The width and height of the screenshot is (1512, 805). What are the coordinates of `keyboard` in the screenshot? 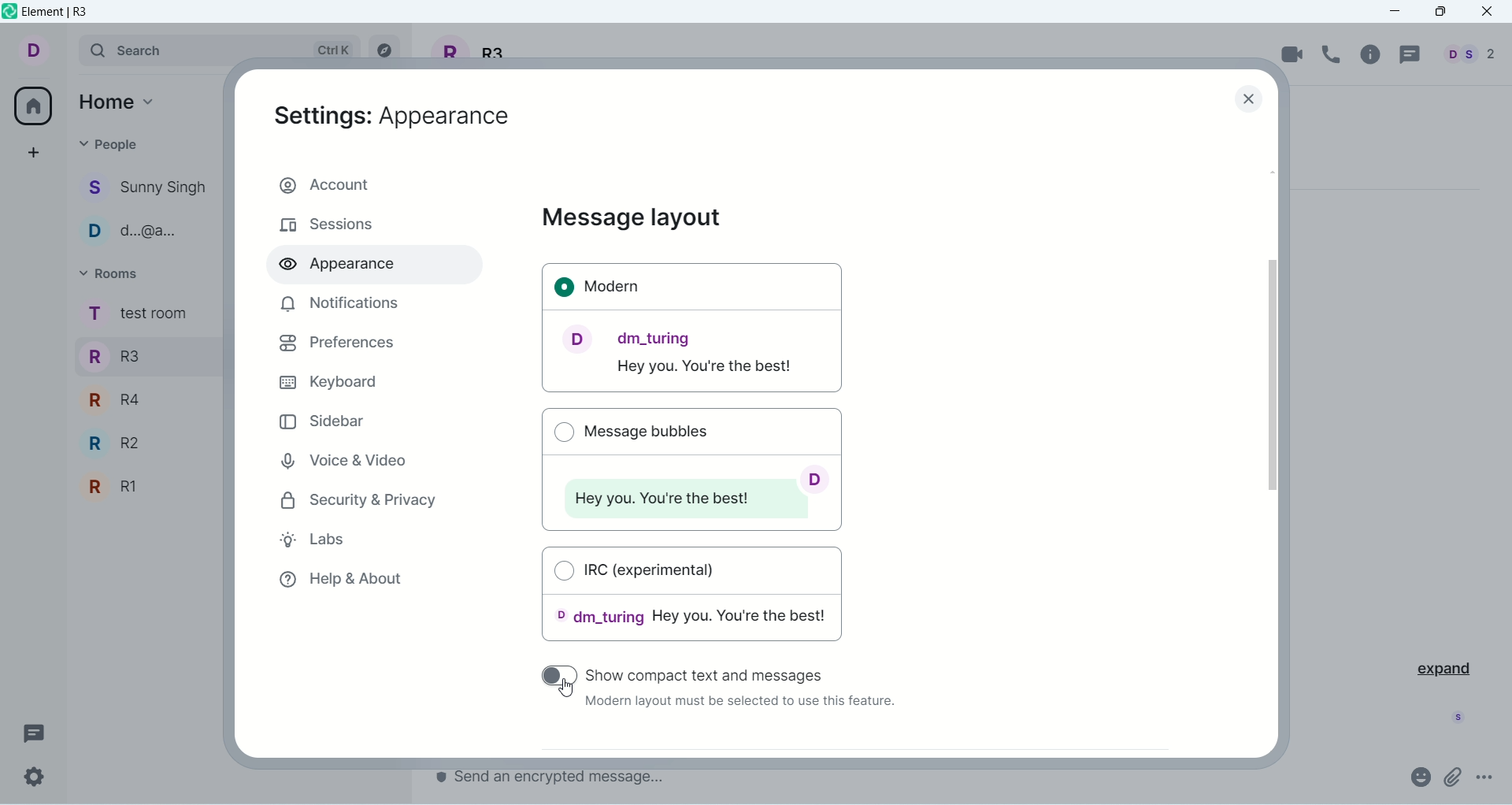 It's located at (327, 380).